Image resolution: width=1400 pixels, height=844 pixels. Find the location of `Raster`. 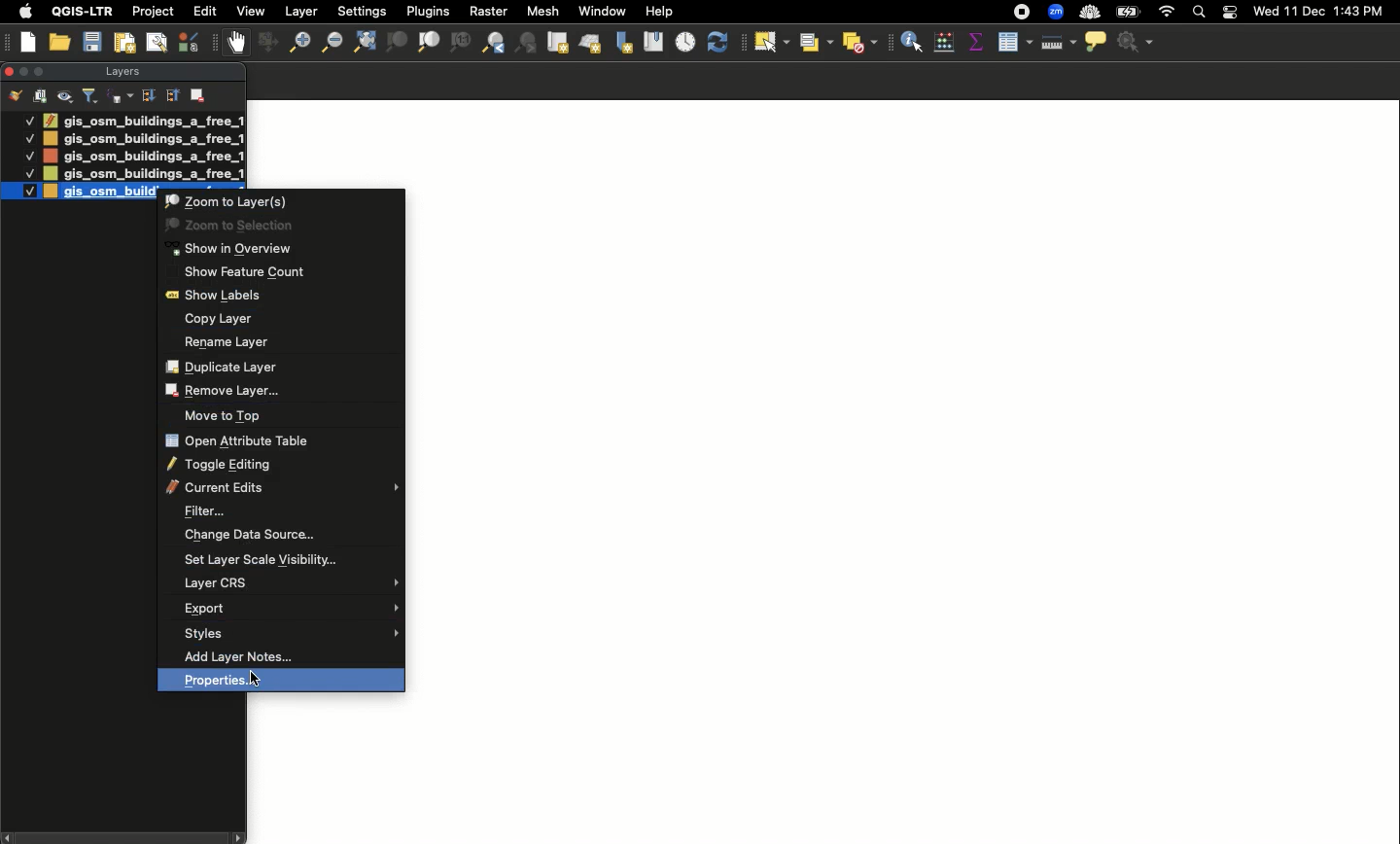

Raster is located at coordinates (486, 12).